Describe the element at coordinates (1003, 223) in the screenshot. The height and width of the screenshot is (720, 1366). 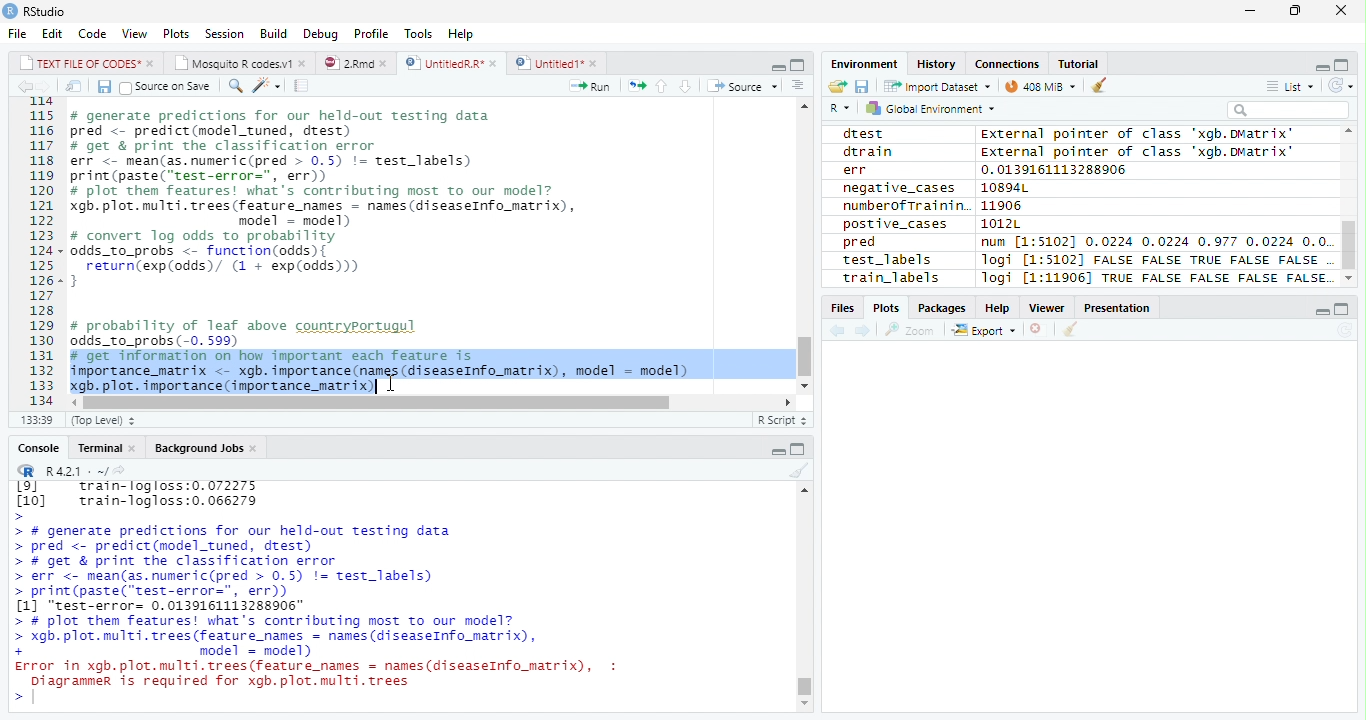
I see `1012L` at that location.